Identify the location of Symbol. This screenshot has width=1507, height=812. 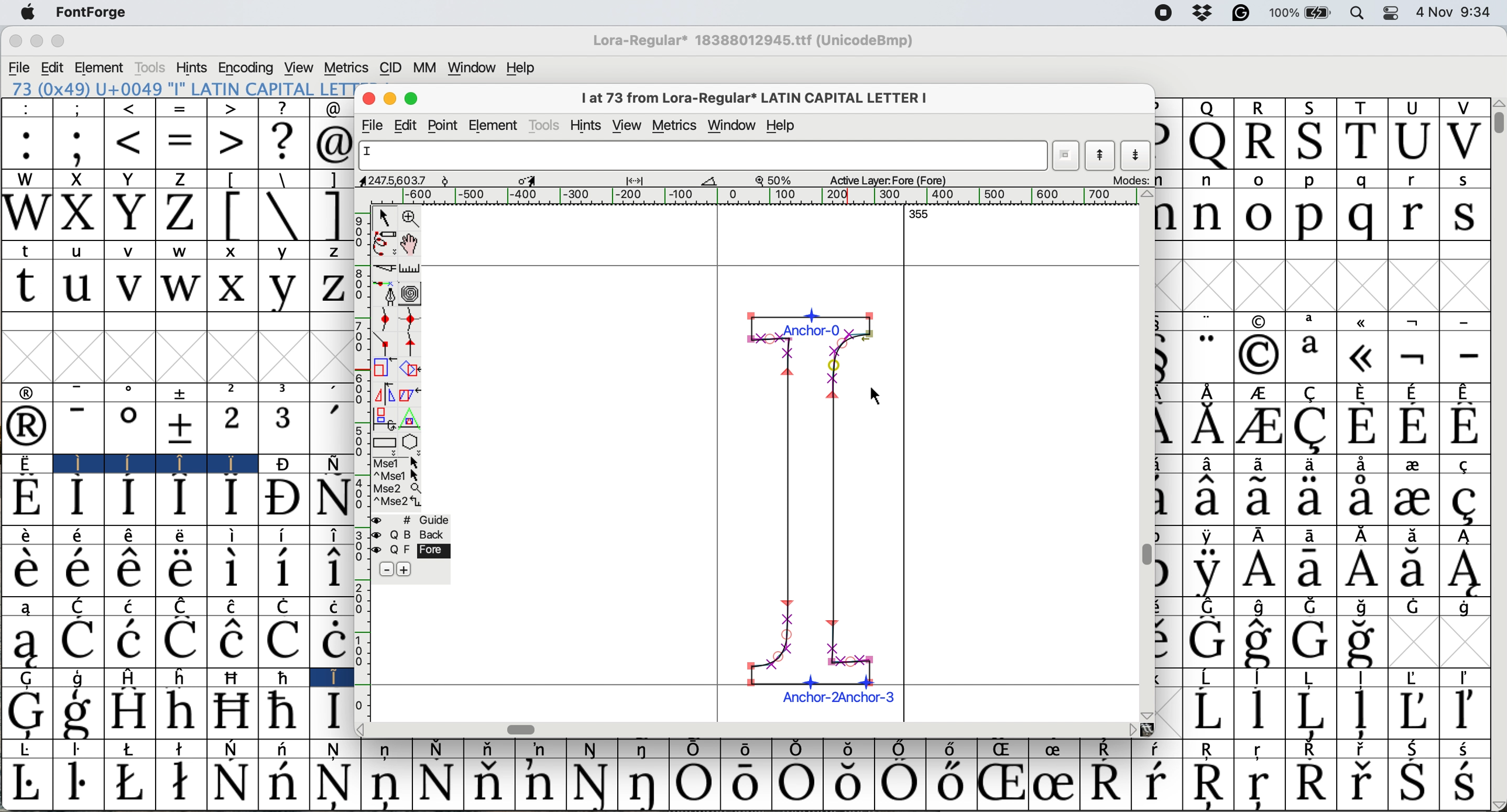
(132, 749).